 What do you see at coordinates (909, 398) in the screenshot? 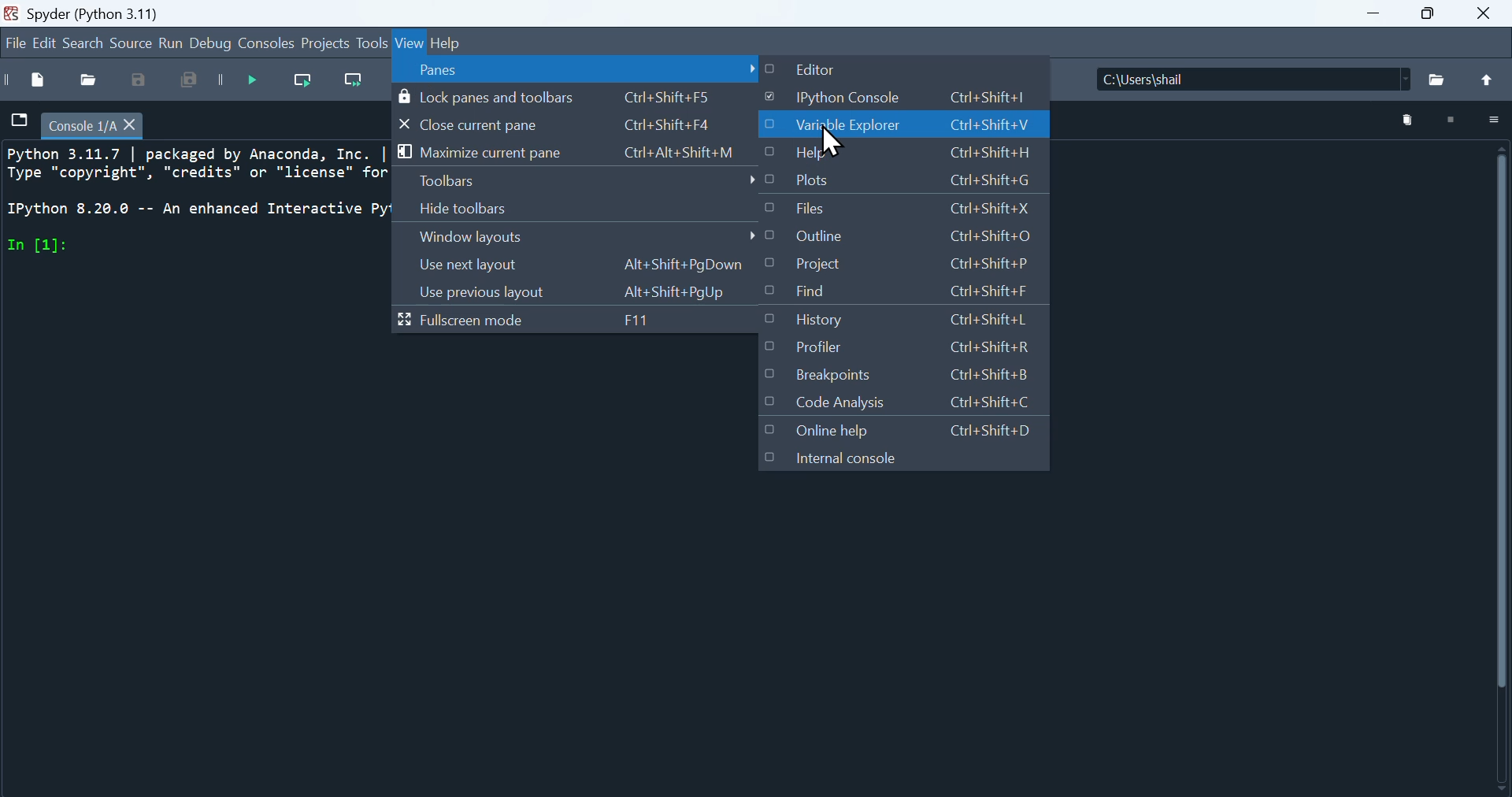
I see `Code analysis` at bounding box center [909, 398].